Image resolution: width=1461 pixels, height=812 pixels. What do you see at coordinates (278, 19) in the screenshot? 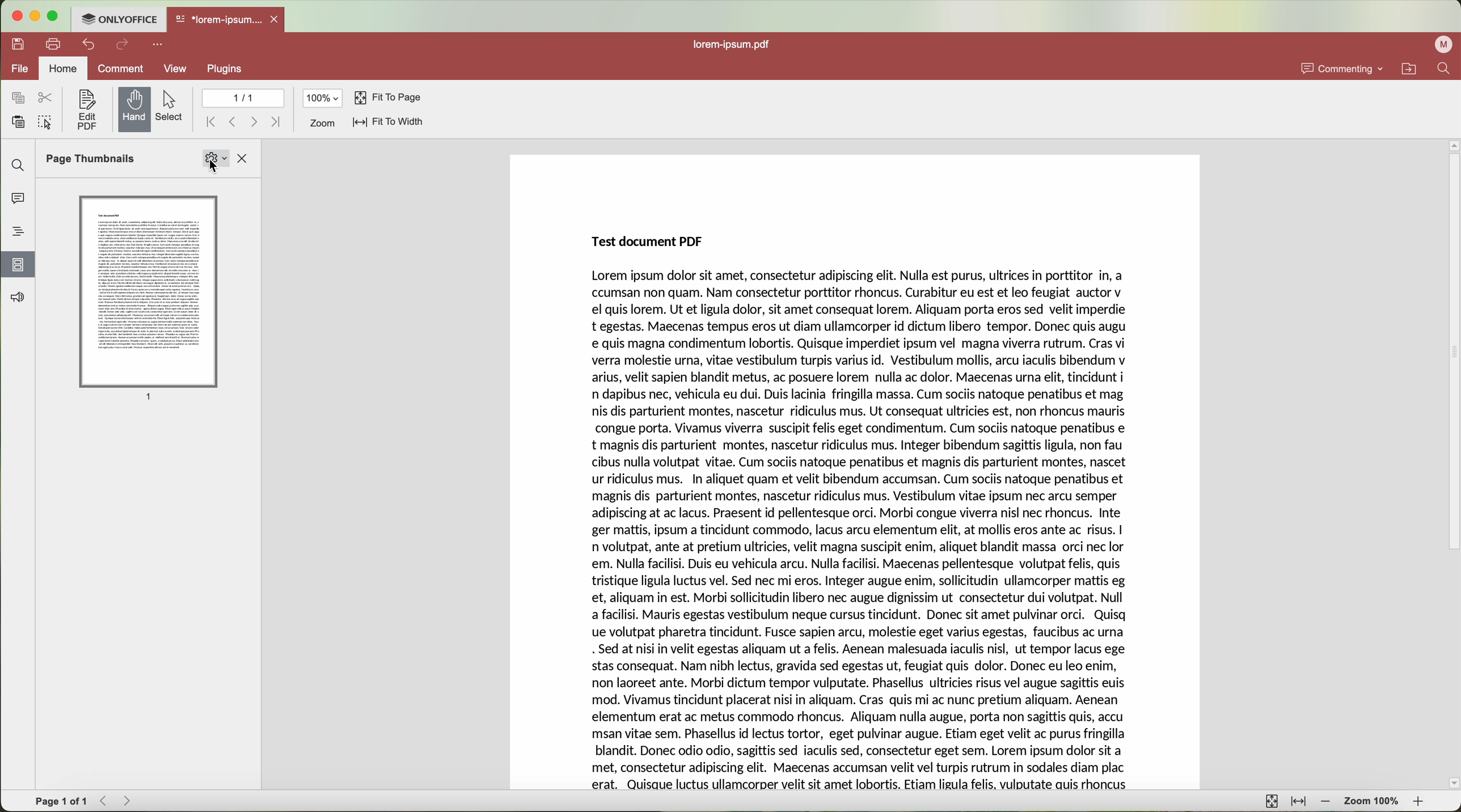
I see `close` at bounding box center [278, 19].